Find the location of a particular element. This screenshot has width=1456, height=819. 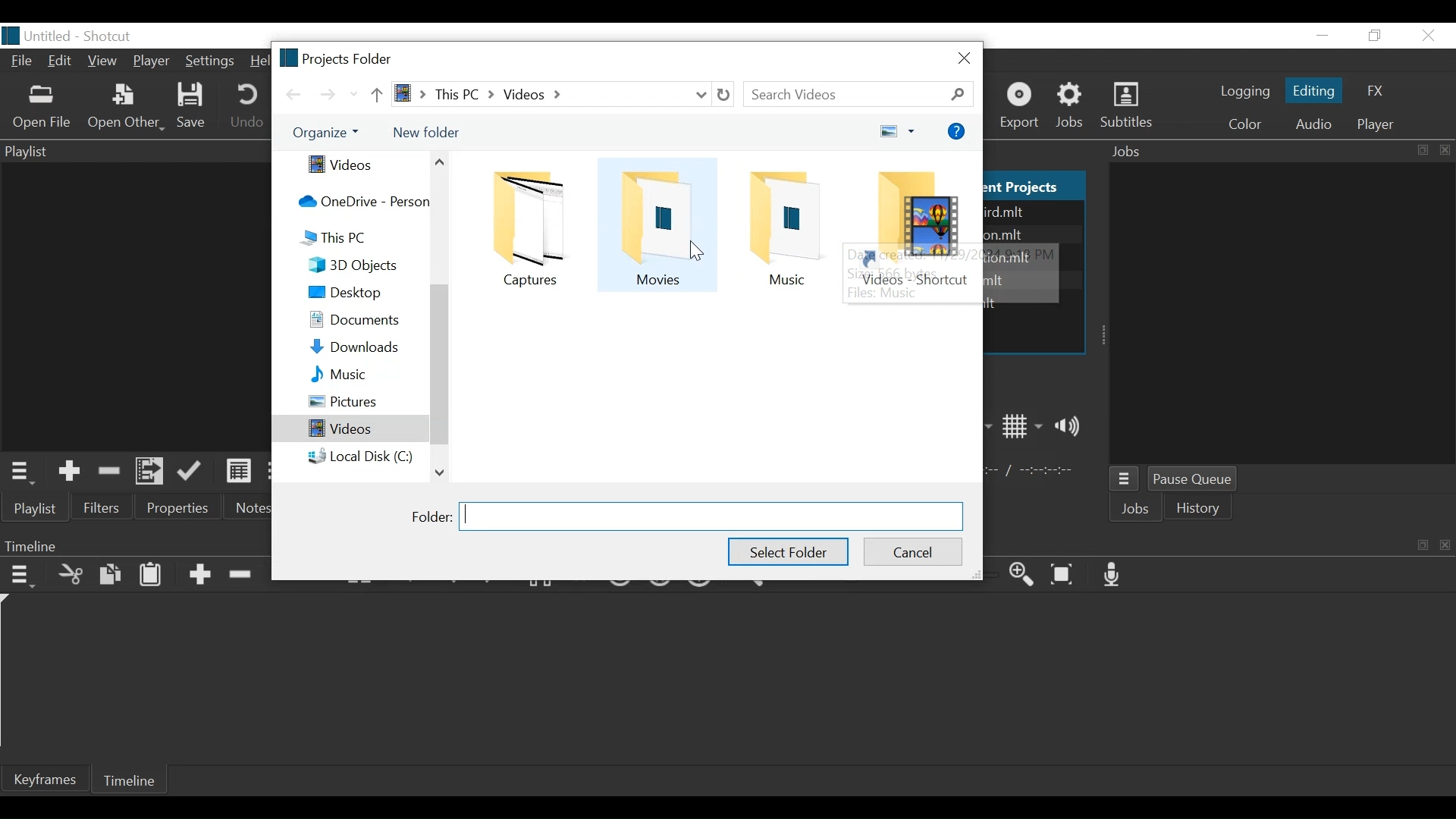

Vertical Scroll bar is located at coordinates (440, 367).